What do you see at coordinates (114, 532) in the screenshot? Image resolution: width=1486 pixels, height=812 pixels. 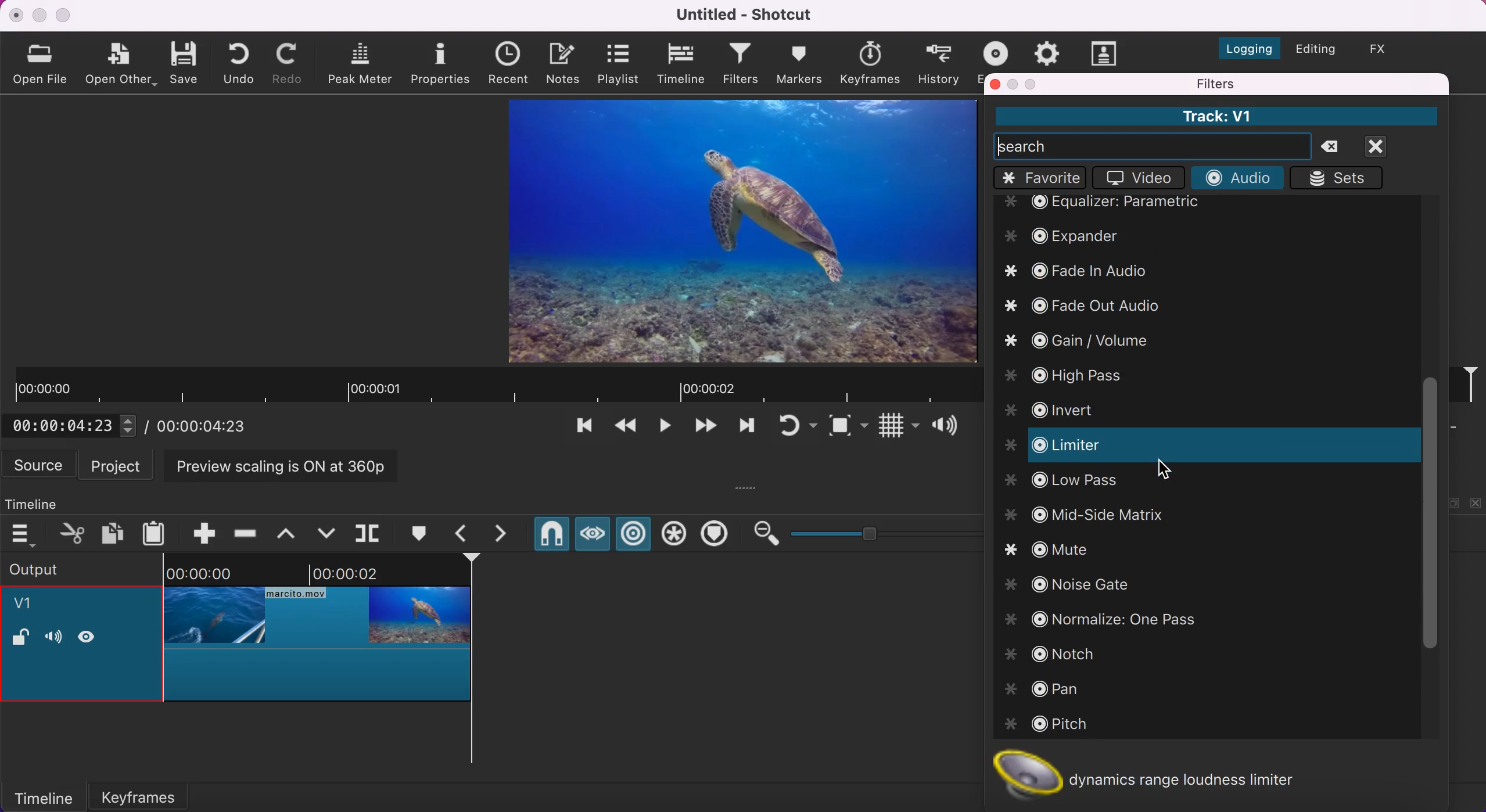 I see `copy` at bounding box center [114, 532].